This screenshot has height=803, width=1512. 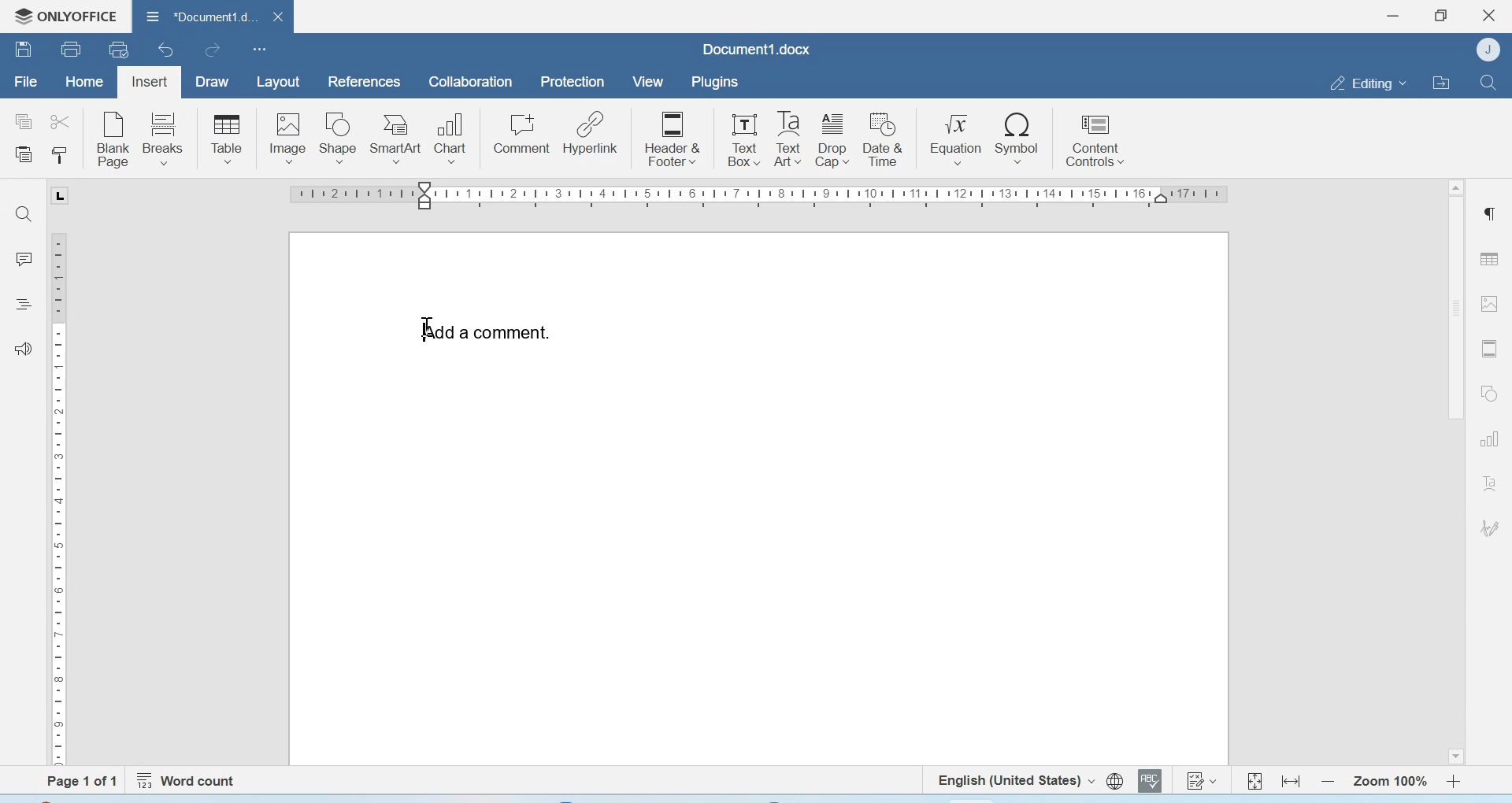 I want to click on Undo, so click(x=168, y=50).